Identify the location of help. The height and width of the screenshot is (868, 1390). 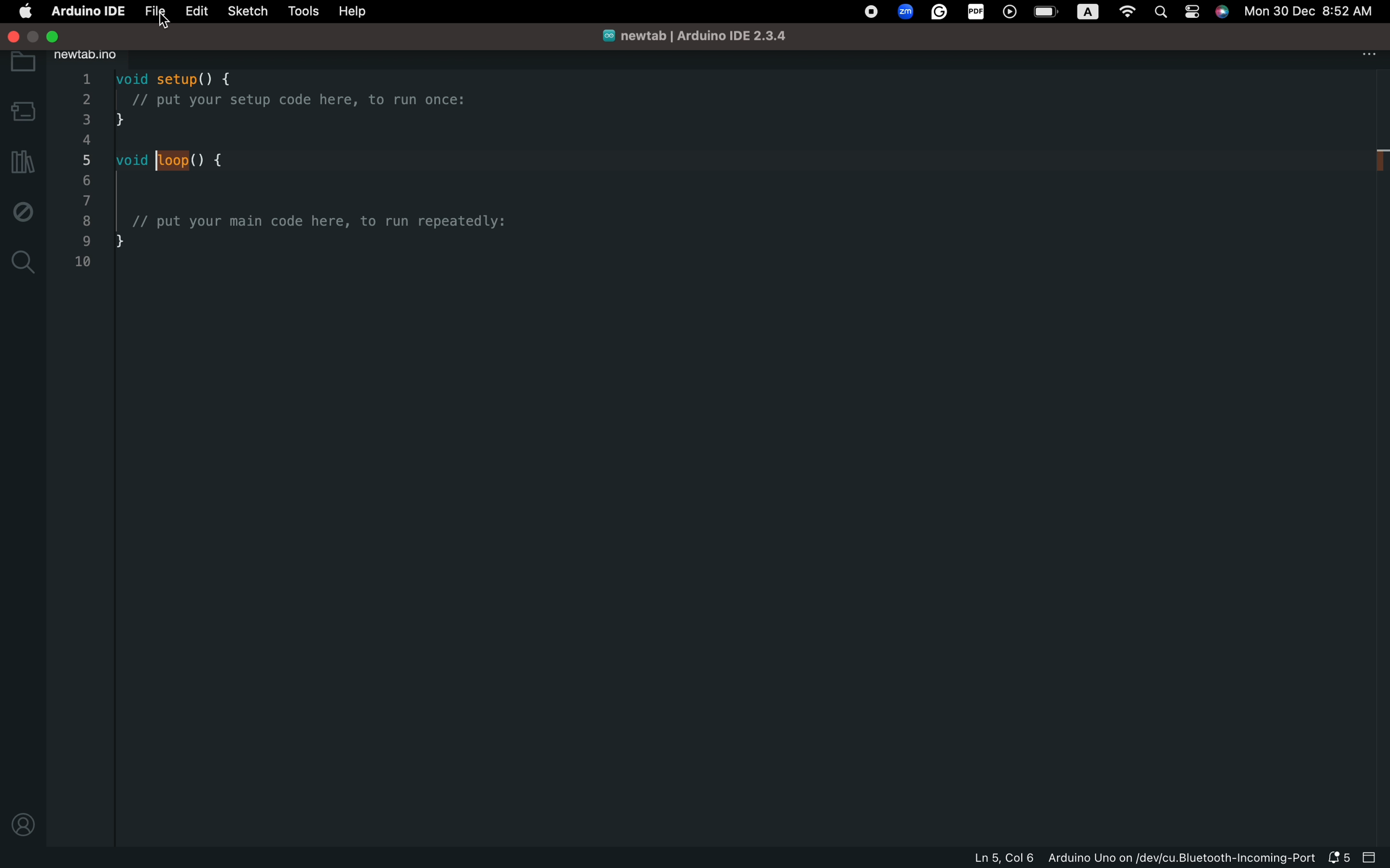
(365, 14).